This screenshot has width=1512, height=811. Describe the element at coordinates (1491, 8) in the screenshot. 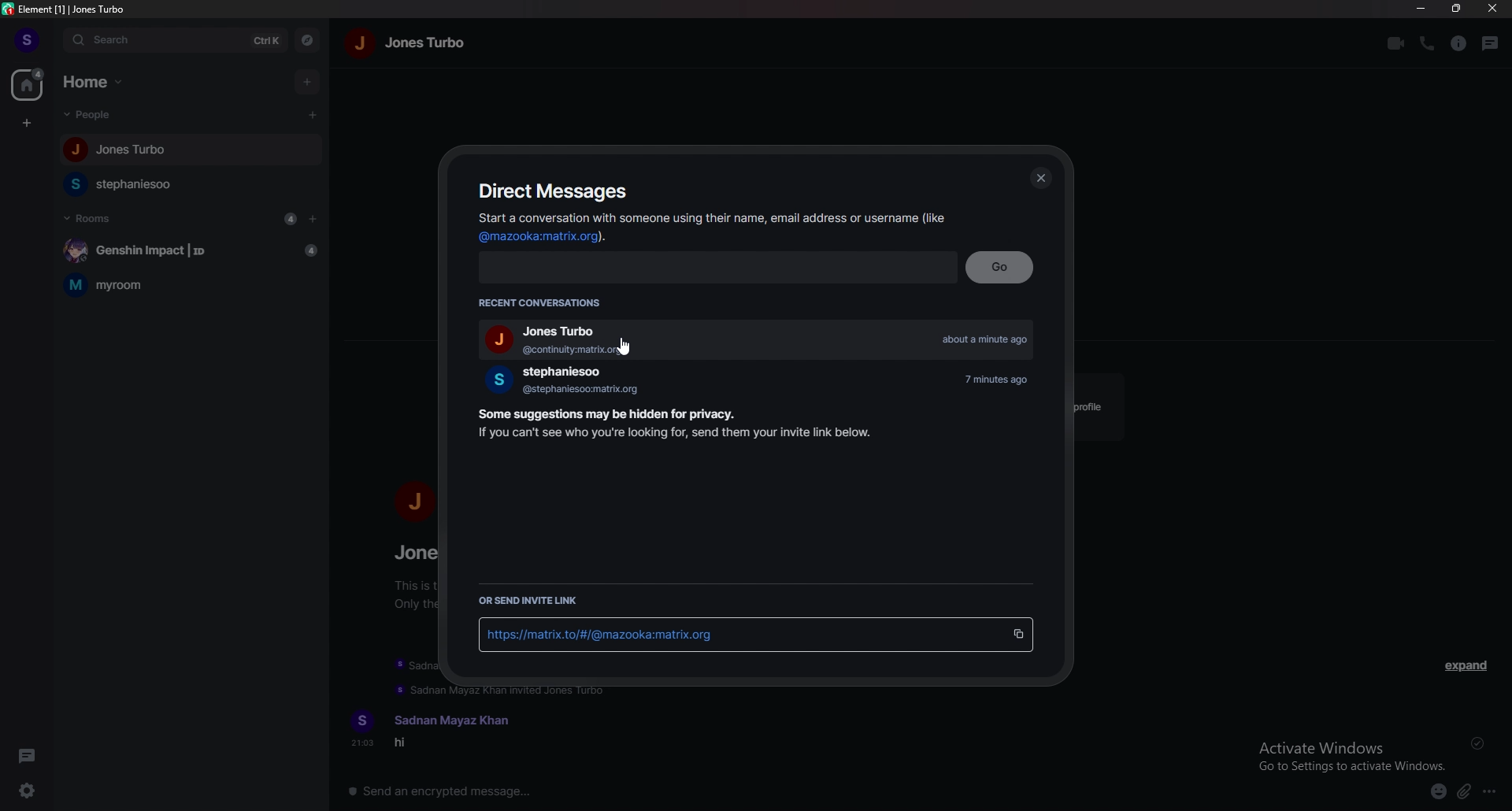

I see `close` at that location.